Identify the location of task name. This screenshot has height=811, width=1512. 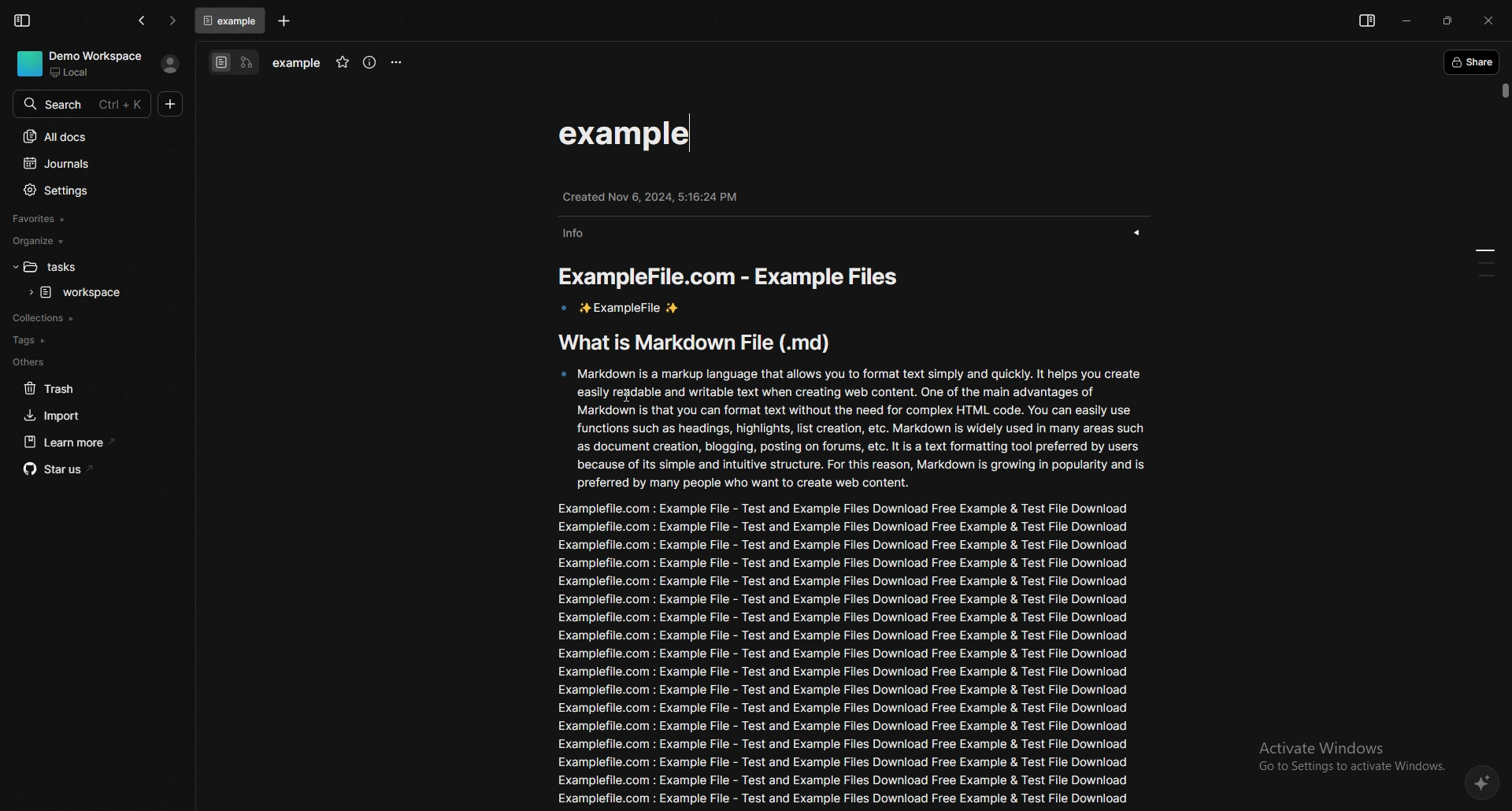
(297, 63).